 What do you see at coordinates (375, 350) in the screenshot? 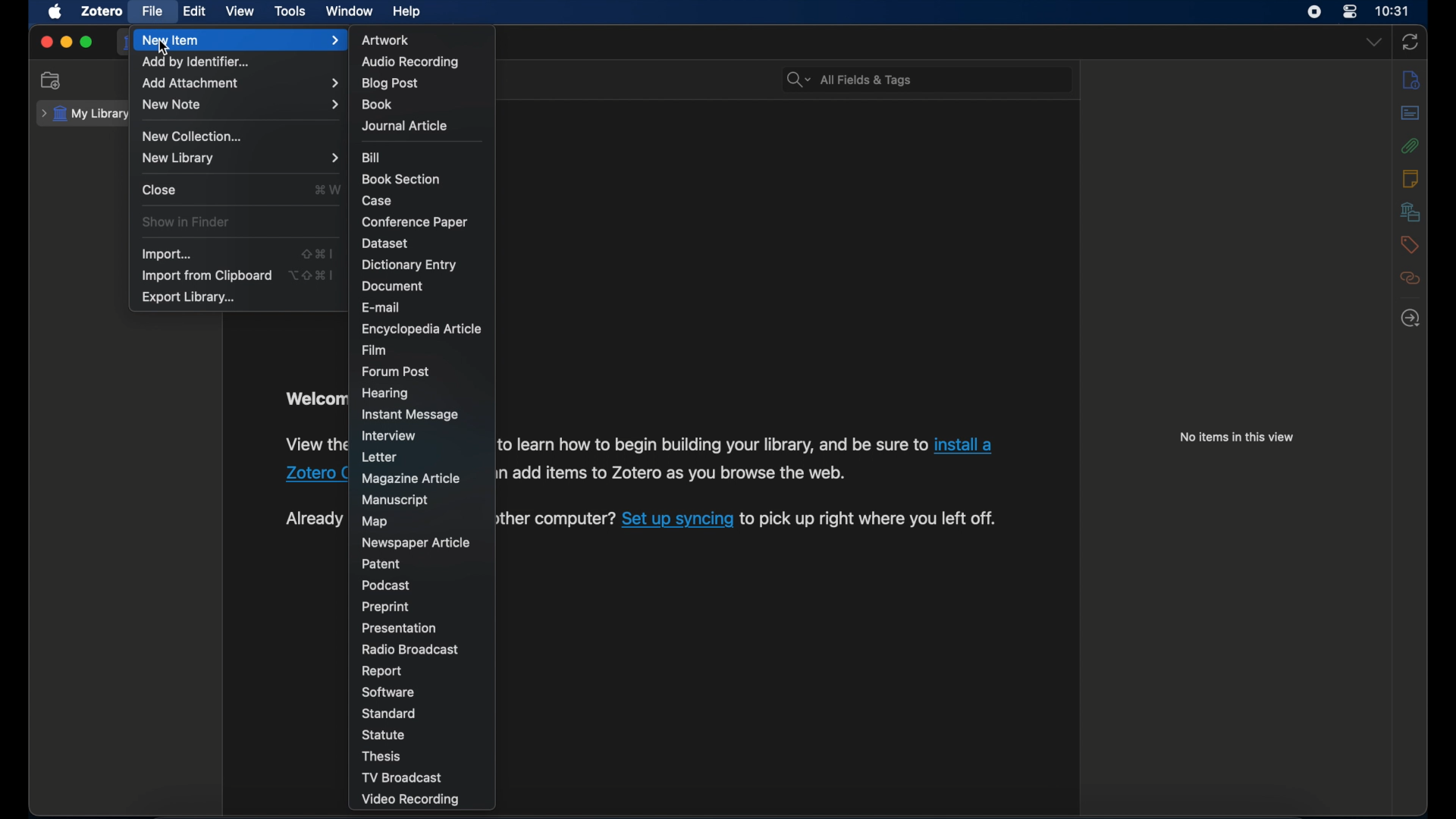
I see `film` at bounding box center [375, 350].